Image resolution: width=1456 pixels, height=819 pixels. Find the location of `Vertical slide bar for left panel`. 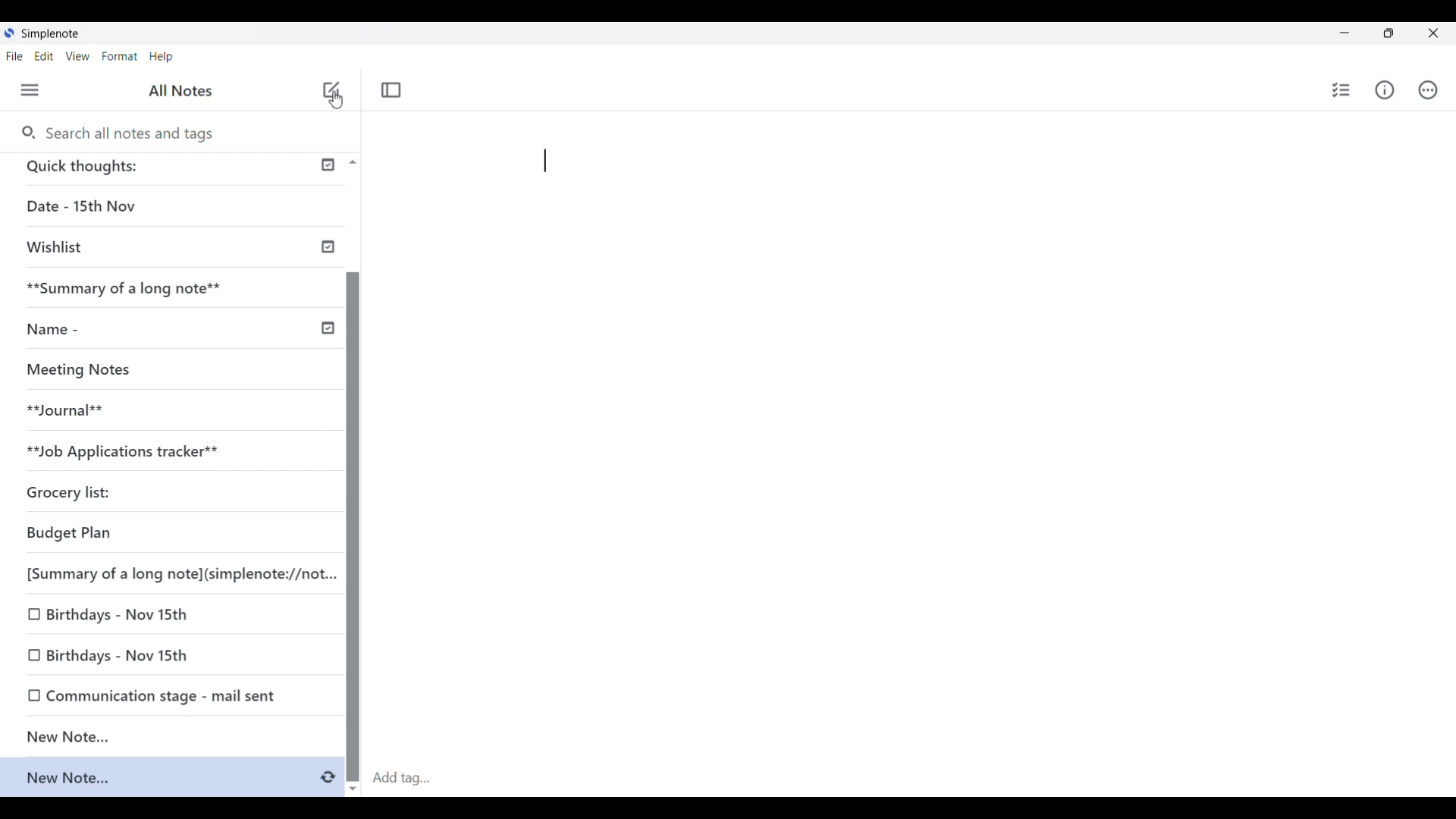

Vertical slide bar for left panel is located at coordinates (353, 513).